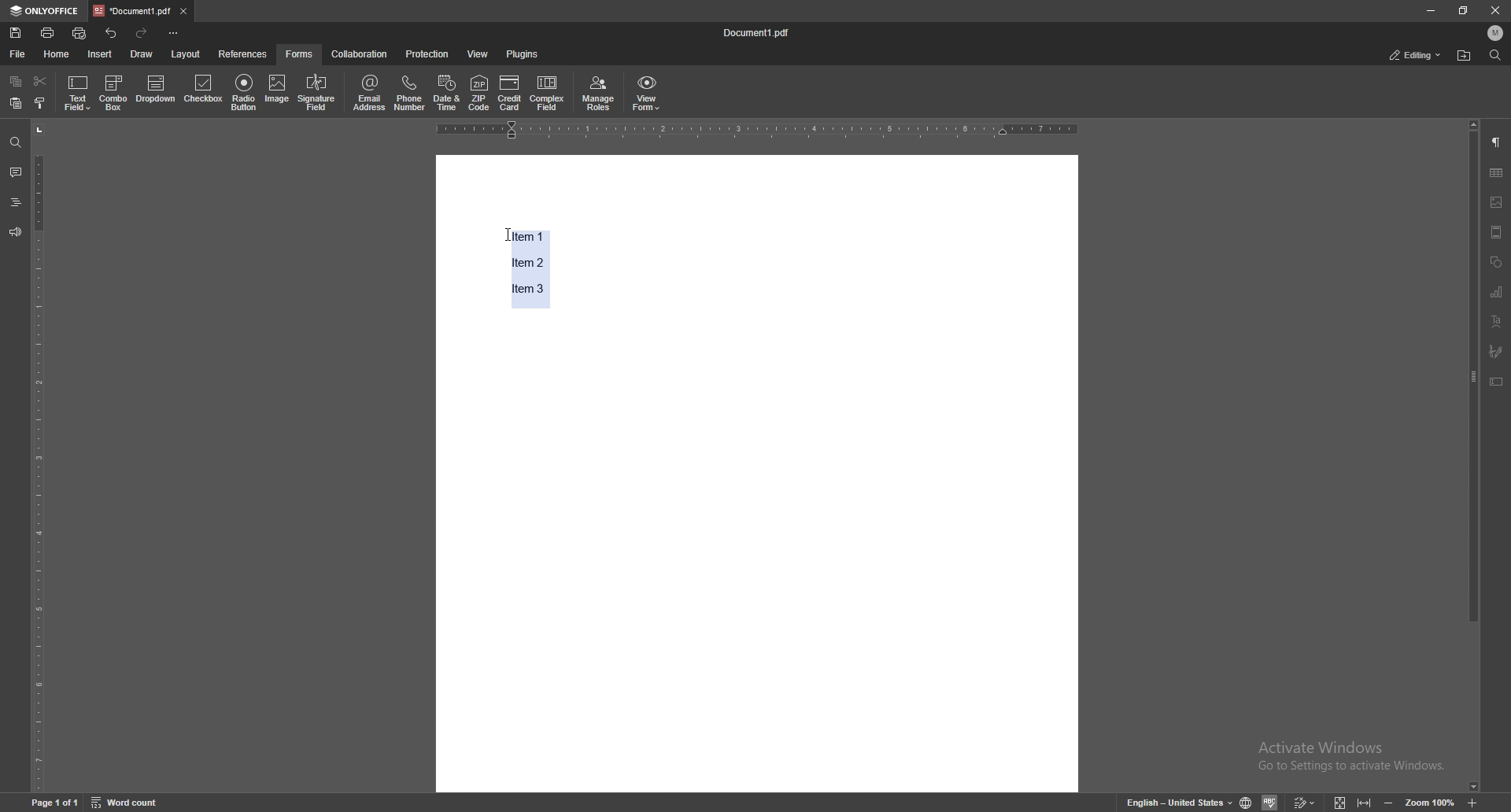  Describe the element at coordinates (142, 33) in the screenshot. I see `redo` at that location.